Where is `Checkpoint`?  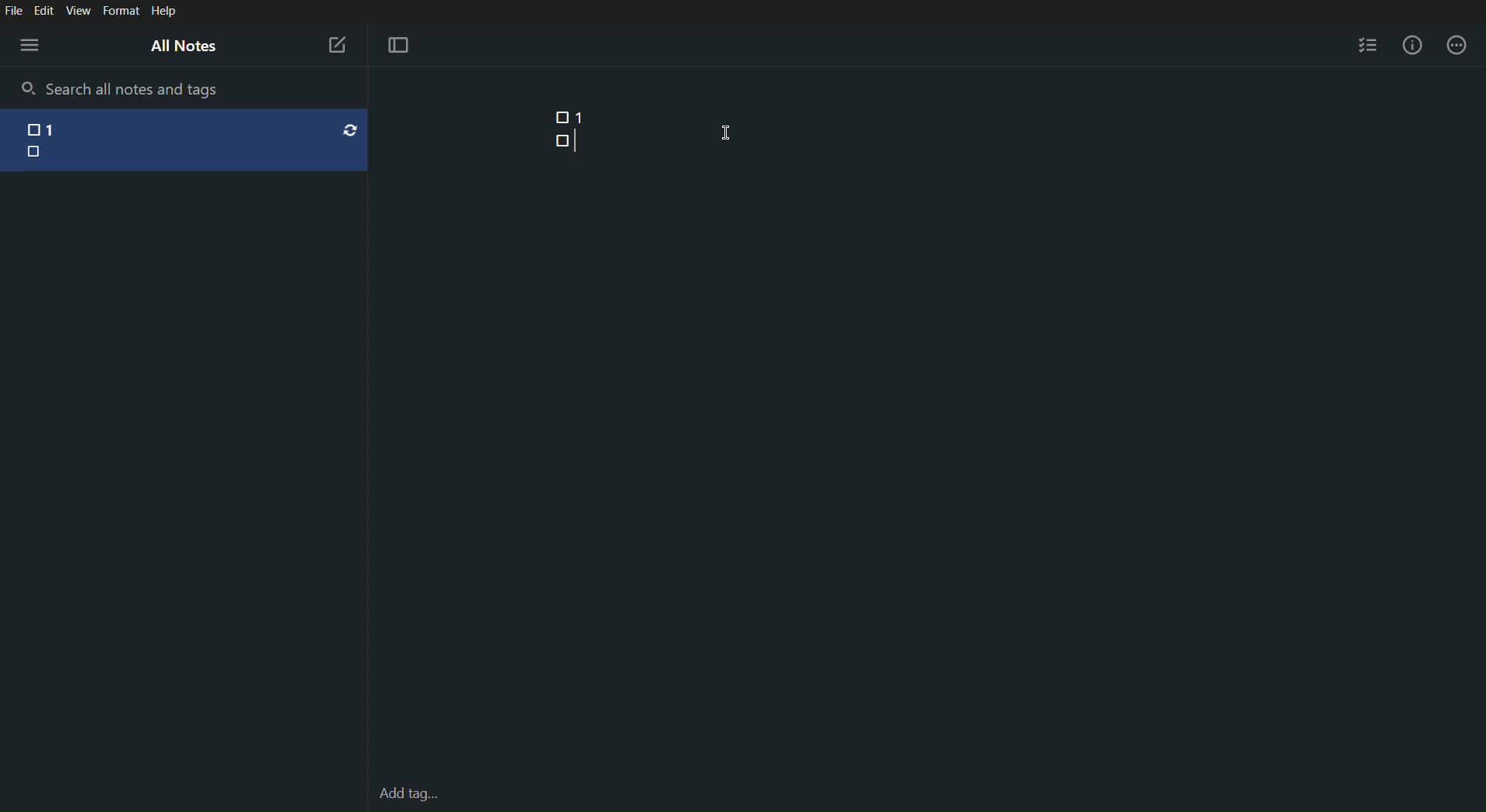 Checkpoint is located at coordinates (557, 117).